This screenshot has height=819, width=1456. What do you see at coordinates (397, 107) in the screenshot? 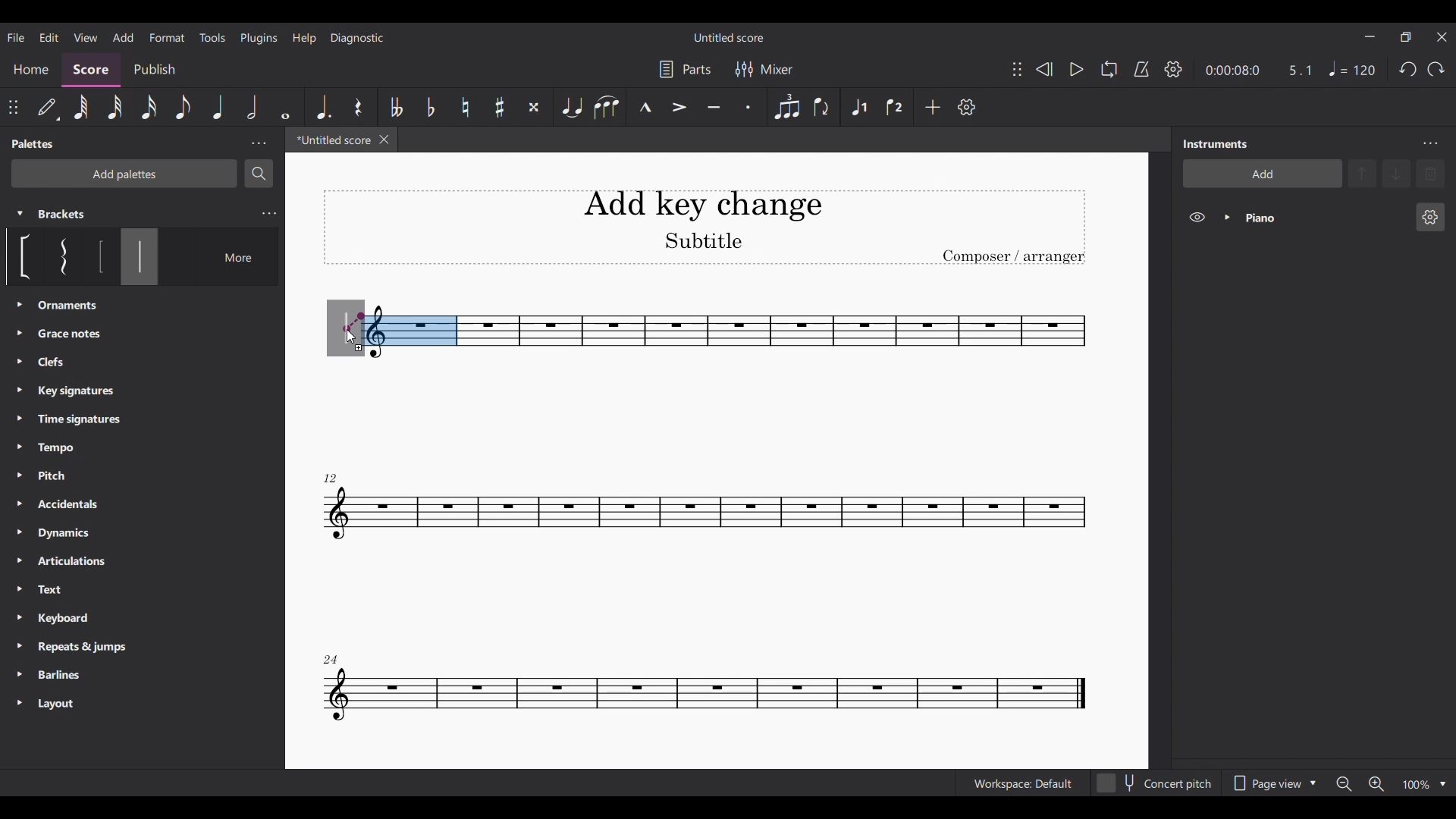
I see `Toggle double flat` at bounding box center [397, 107].